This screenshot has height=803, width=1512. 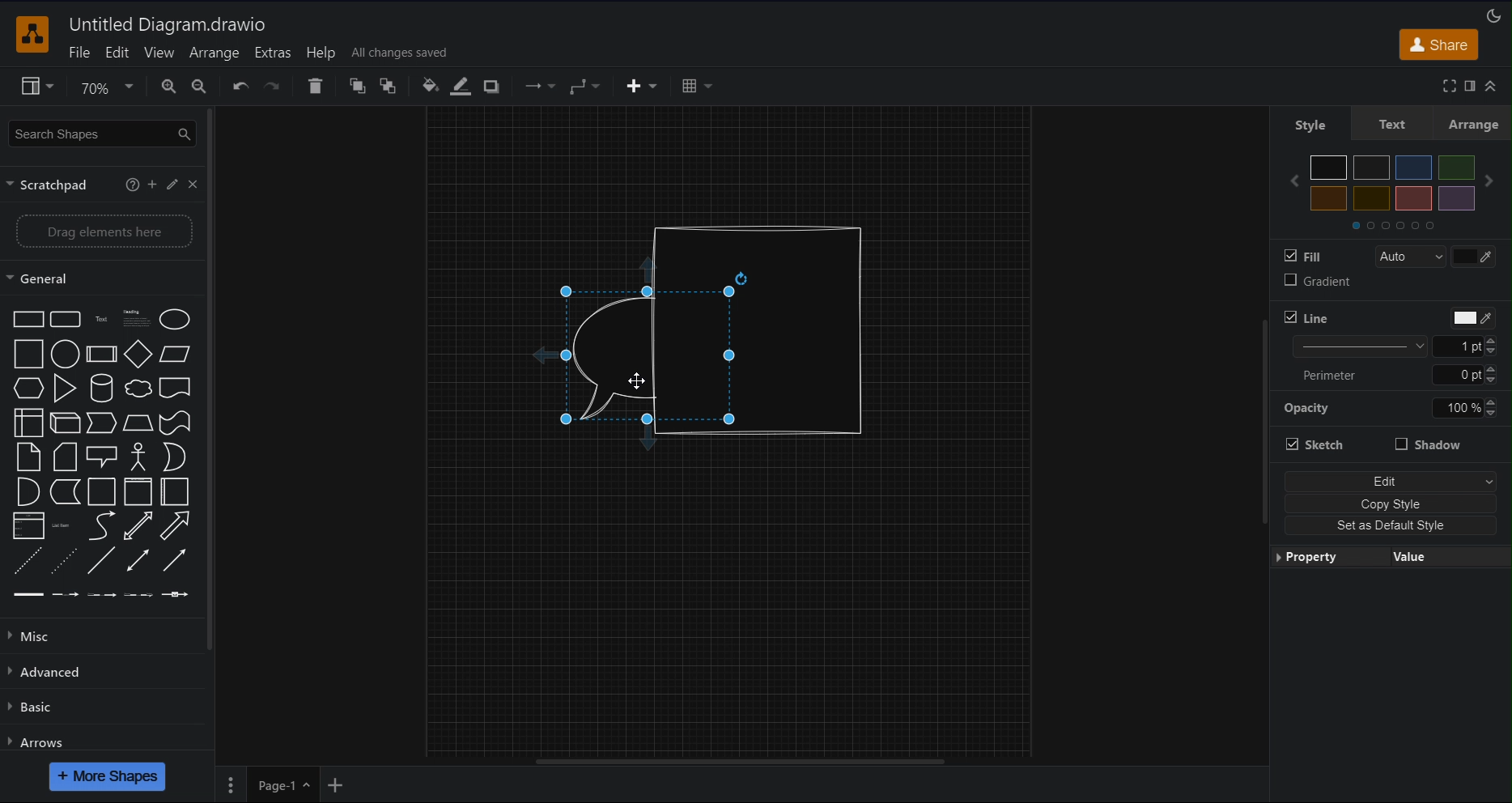 I want to click on Data storage, so click(x=65, y=492).